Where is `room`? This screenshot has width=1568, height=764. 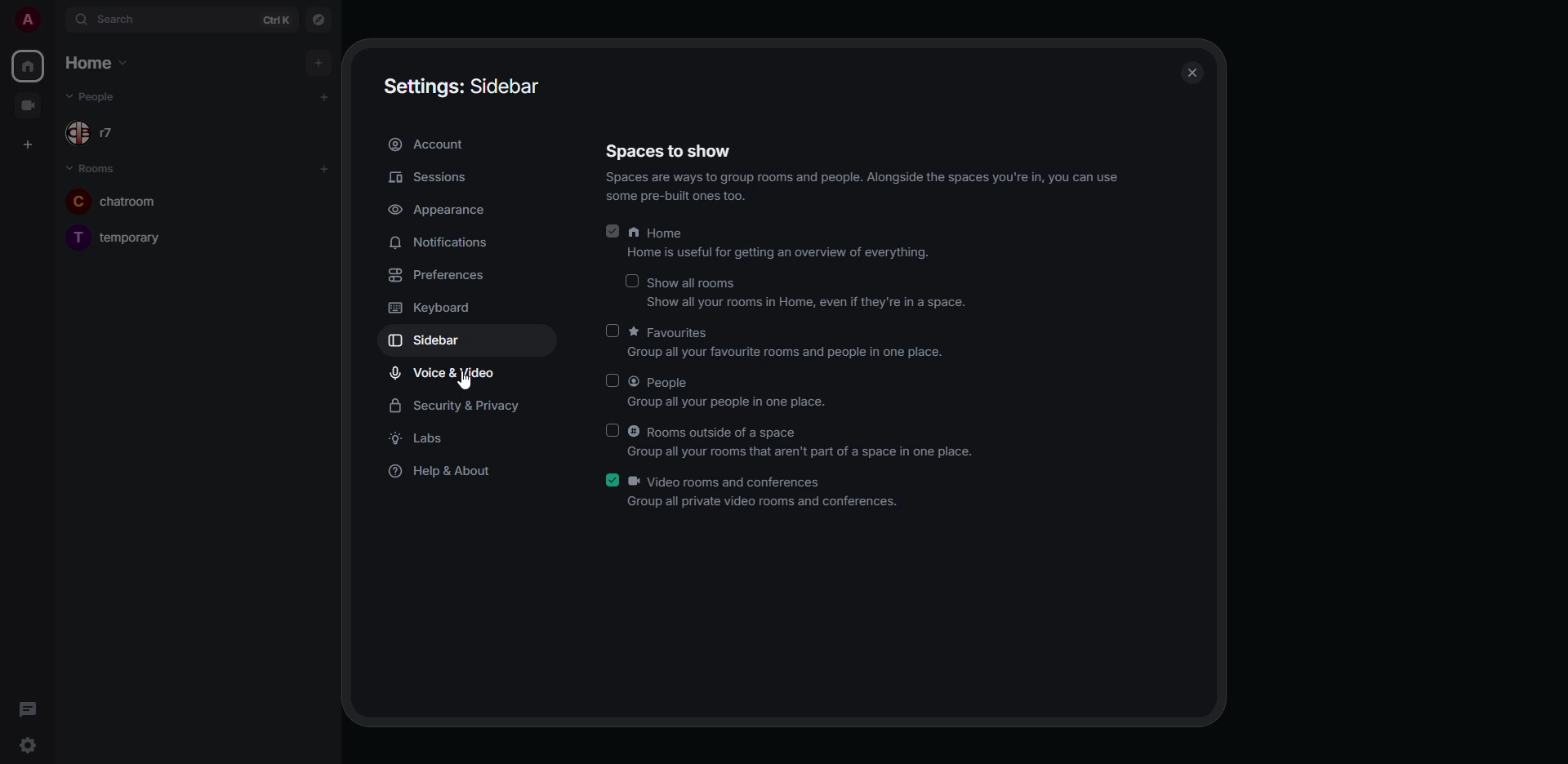 room is located at coordinates (125, 198).